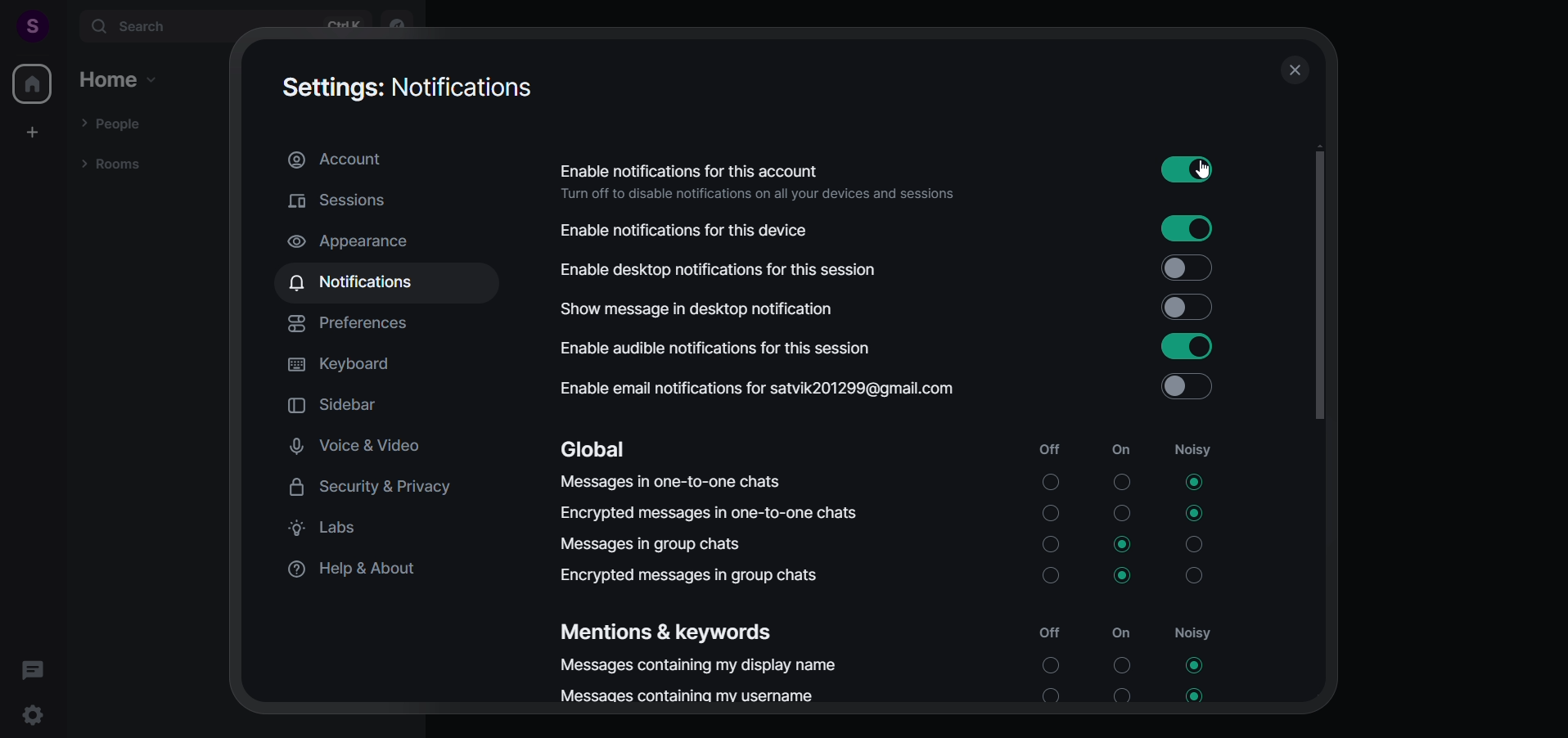 The width and height of the screenshot is (1568, 738). Describe the element at coordinates (119, 80) in the screenshot. I see `home options` at that location.